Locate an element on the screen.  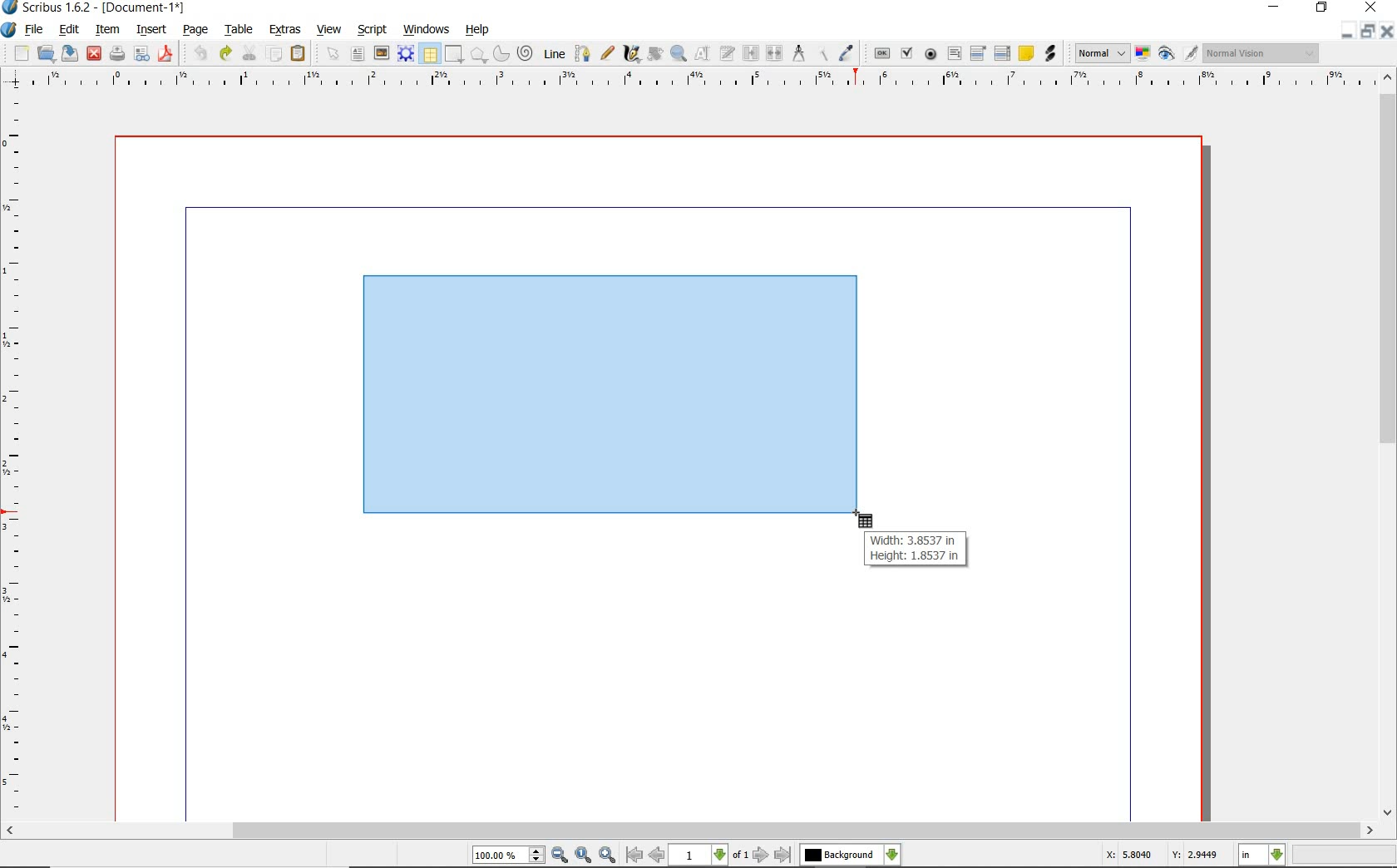
undo is located at coordinates (200, 53).